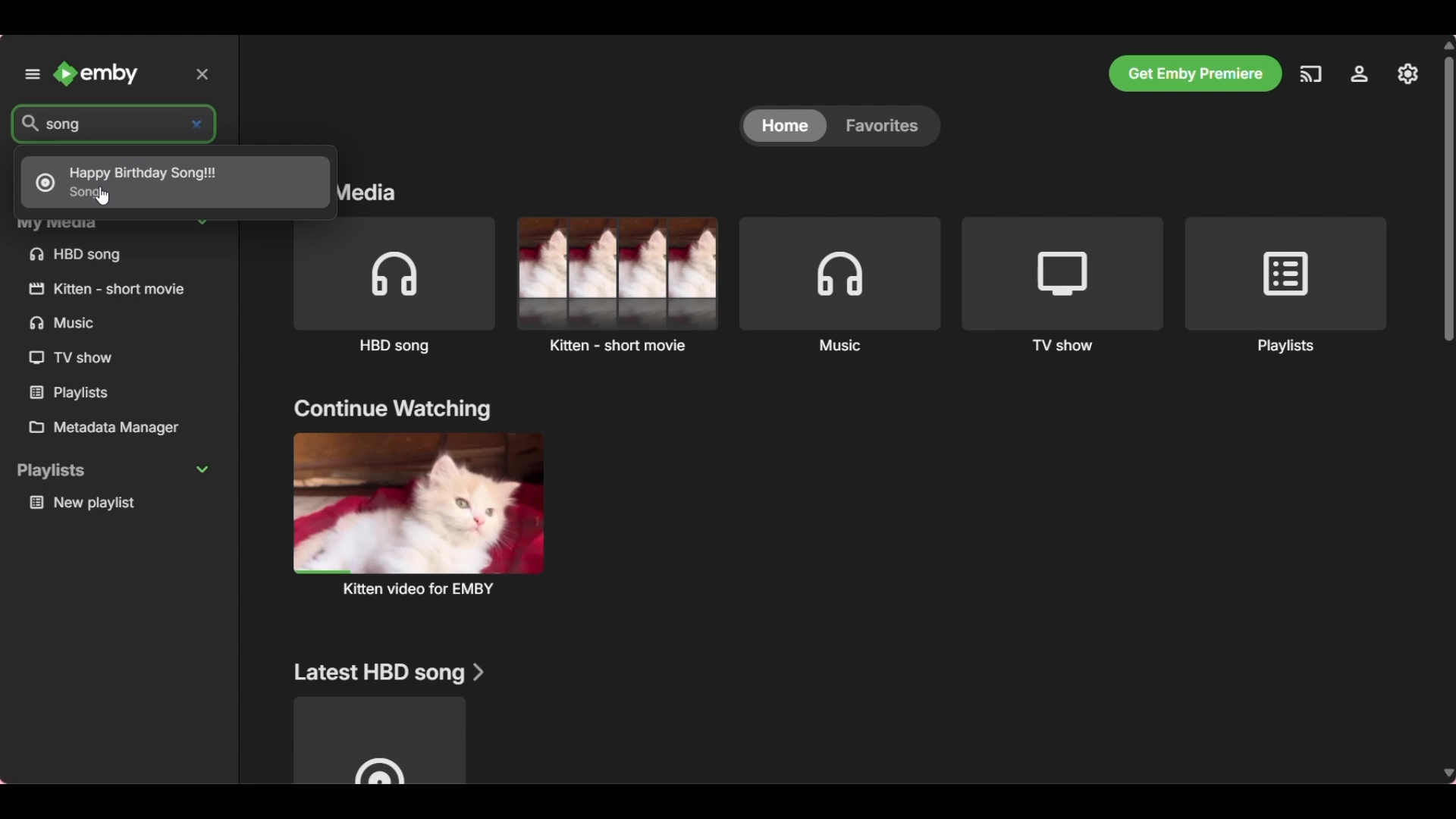  Describe the element at coordinates (31, 74) in the screenshot. I see `Unpin left panel` at that location.